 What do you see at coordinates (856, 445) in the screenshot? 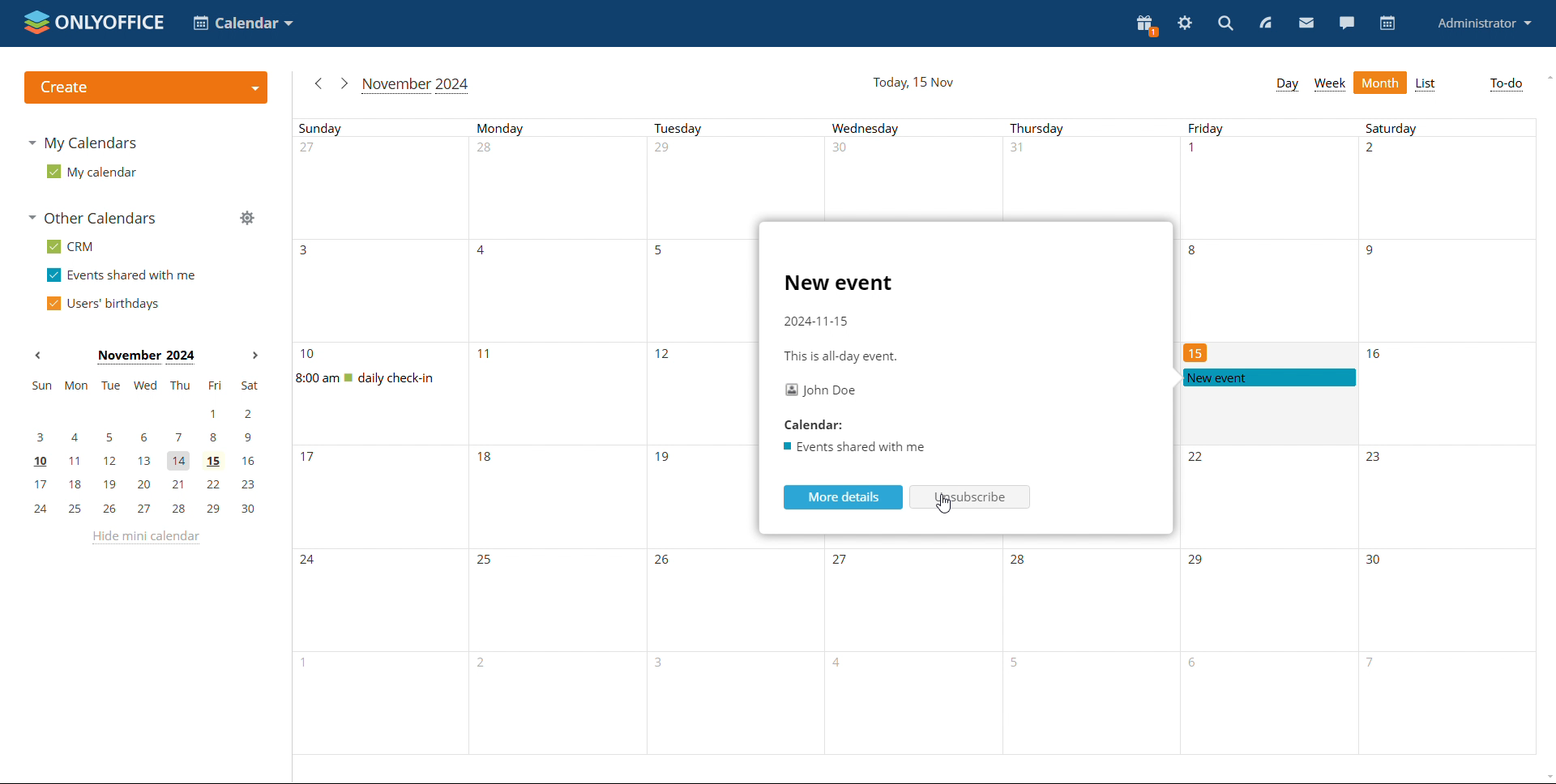
I see `calendar` at bounding box center [856, 445].